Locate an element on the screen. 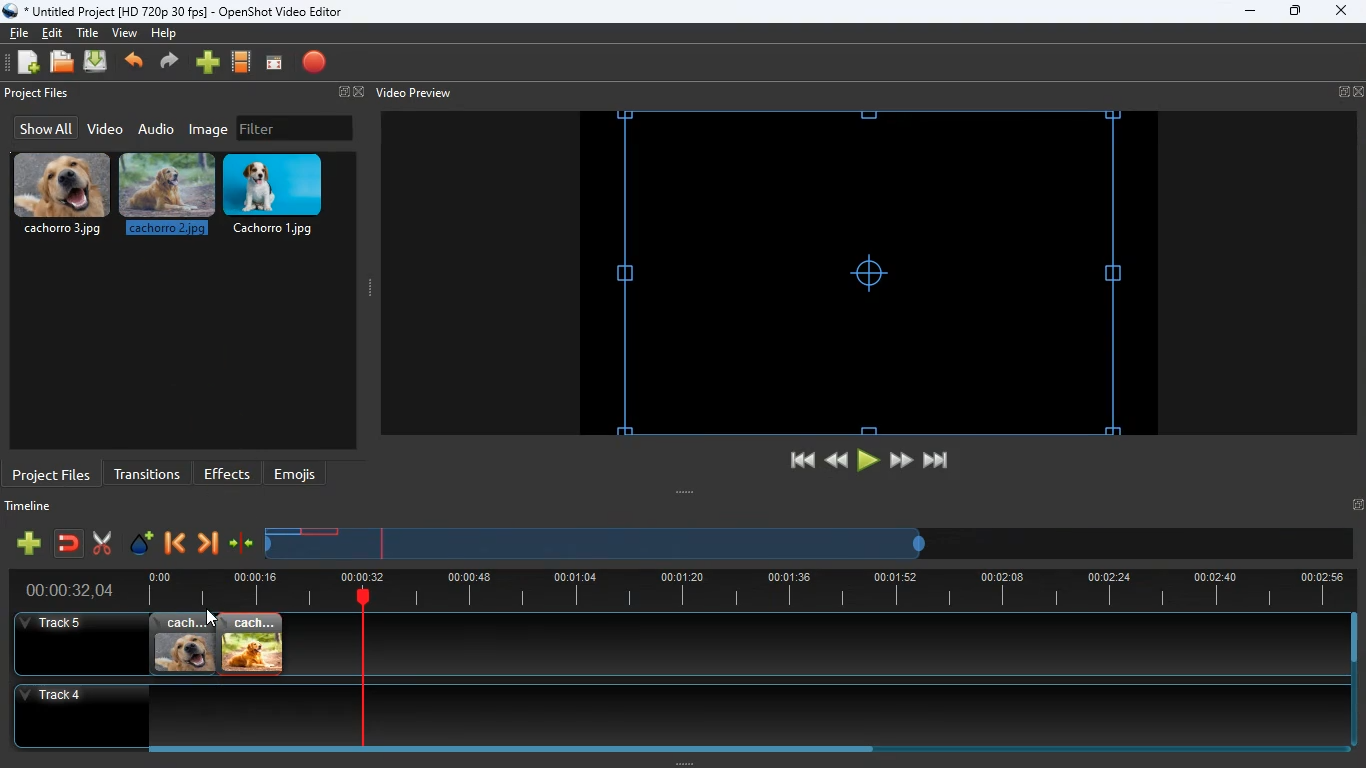 This screenshot has width=1366, height=768. back is located at coordinates (136, 63).